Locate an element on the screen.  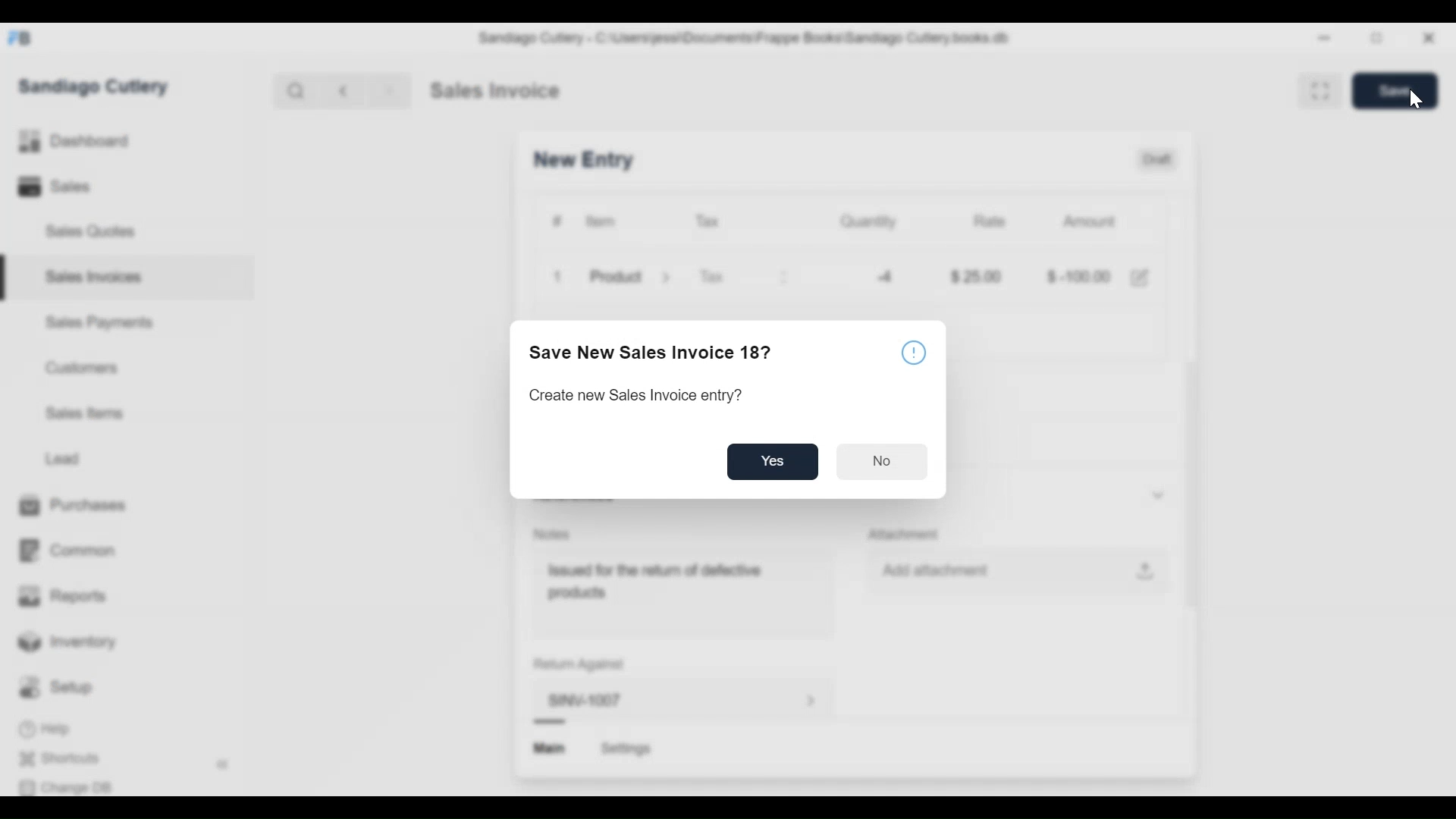
No is located at coordinates (878, 462).